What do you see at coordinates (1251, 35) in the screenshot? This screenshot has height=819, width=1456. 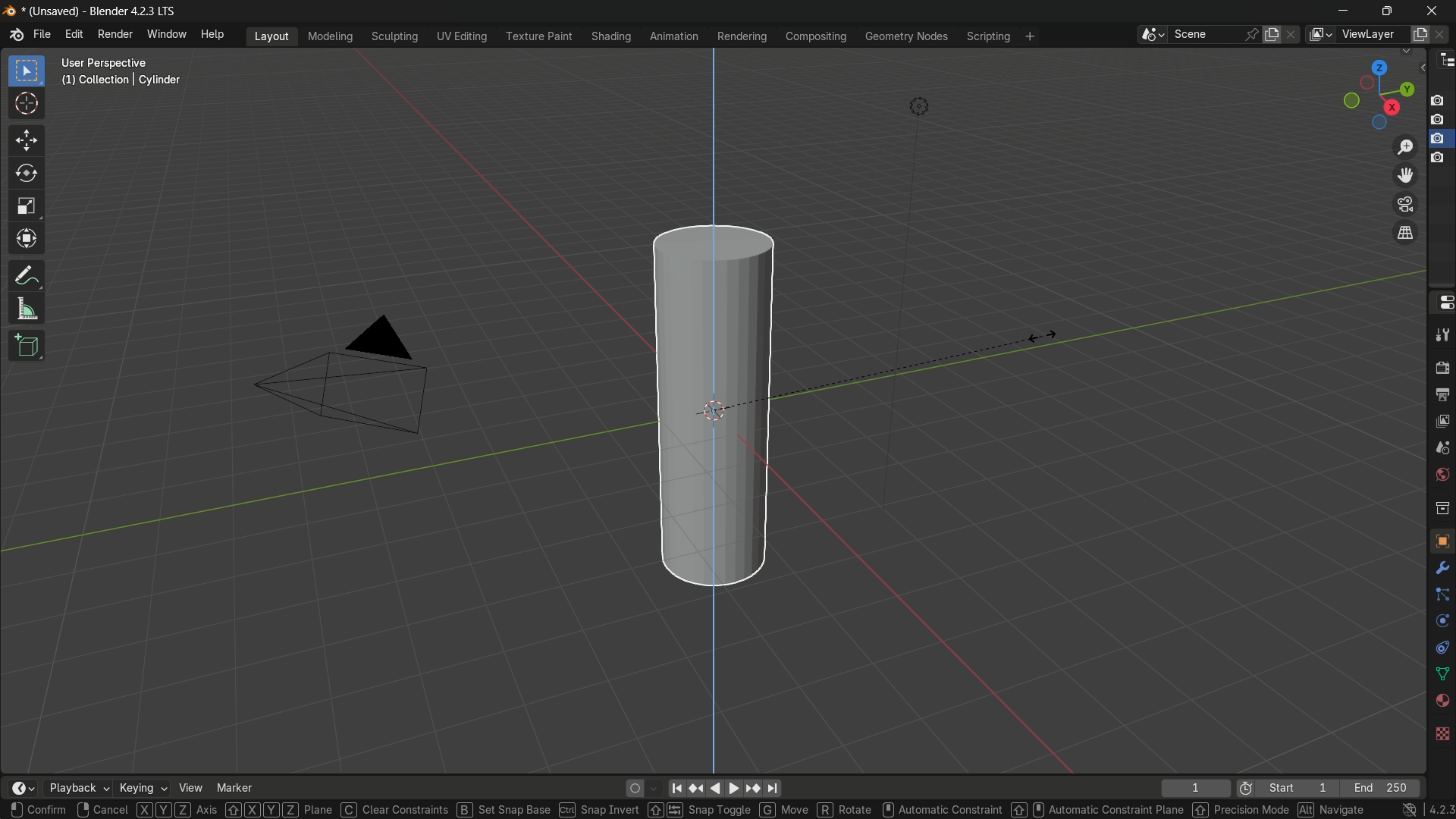 I see `pin scene to workplace` at bounding box center [1251, 35].